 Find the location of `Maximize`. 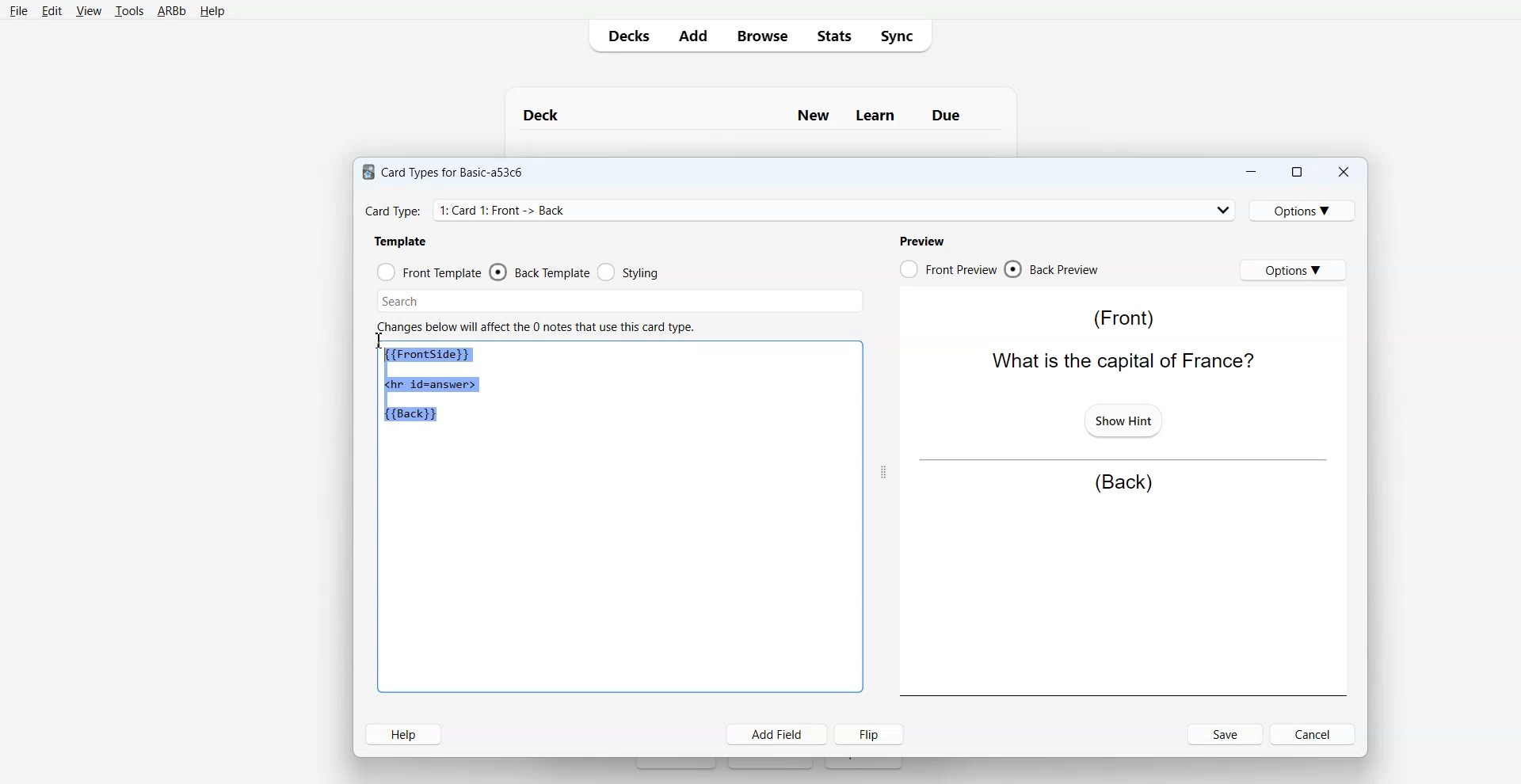

Maximize is located at coordinates (1295, 172).